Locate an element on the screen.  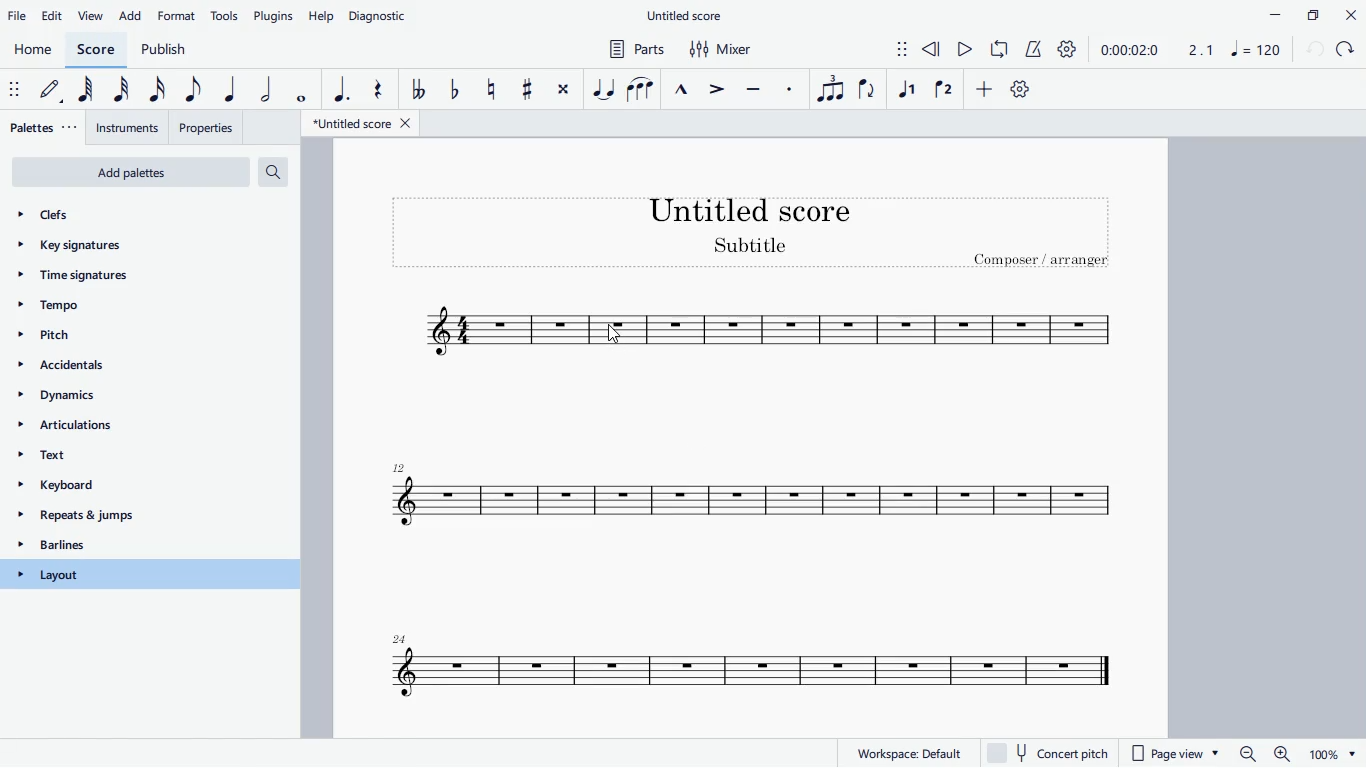
close is located at coordinates (1350, 14).